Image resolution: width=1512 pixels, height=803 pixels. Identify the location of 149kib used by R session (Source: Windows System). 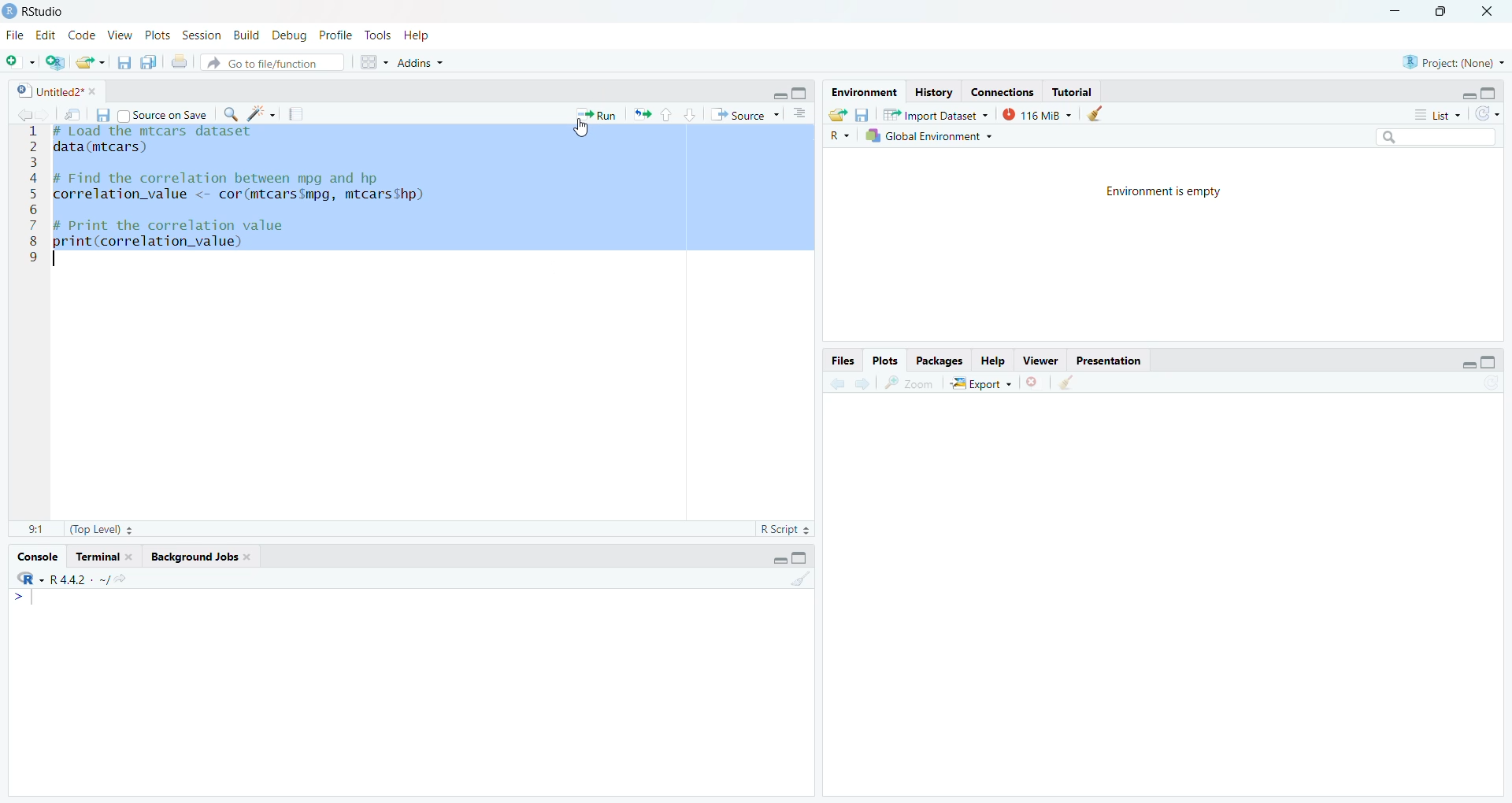
(1043, 113).